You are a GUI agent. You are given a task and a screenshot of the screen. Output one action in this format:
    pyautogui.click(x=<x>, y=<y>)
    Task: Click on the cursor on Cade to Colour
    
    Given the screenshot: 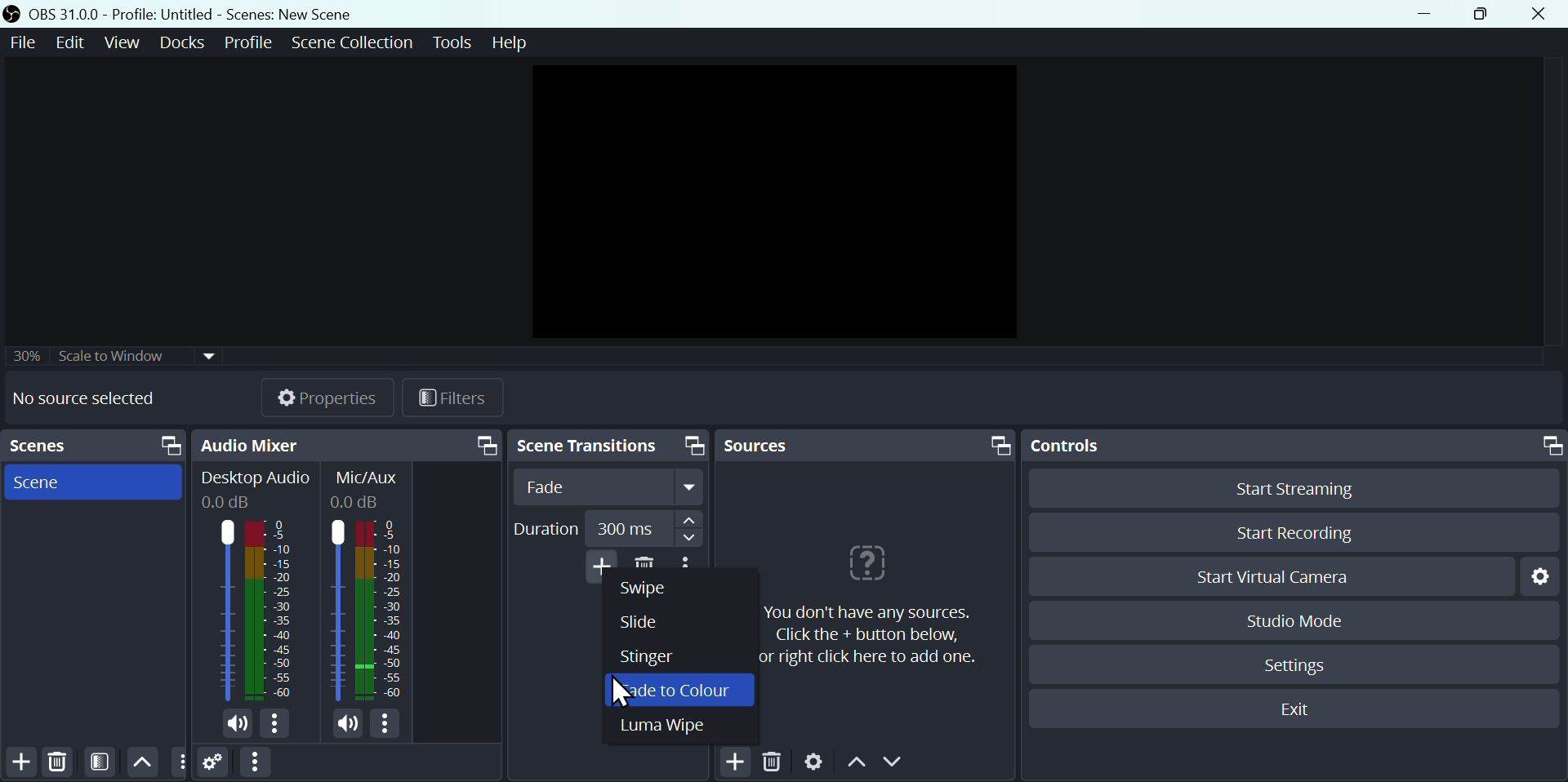 What is the action you would take?
    pyautogui.click(x=626, y=691)
    